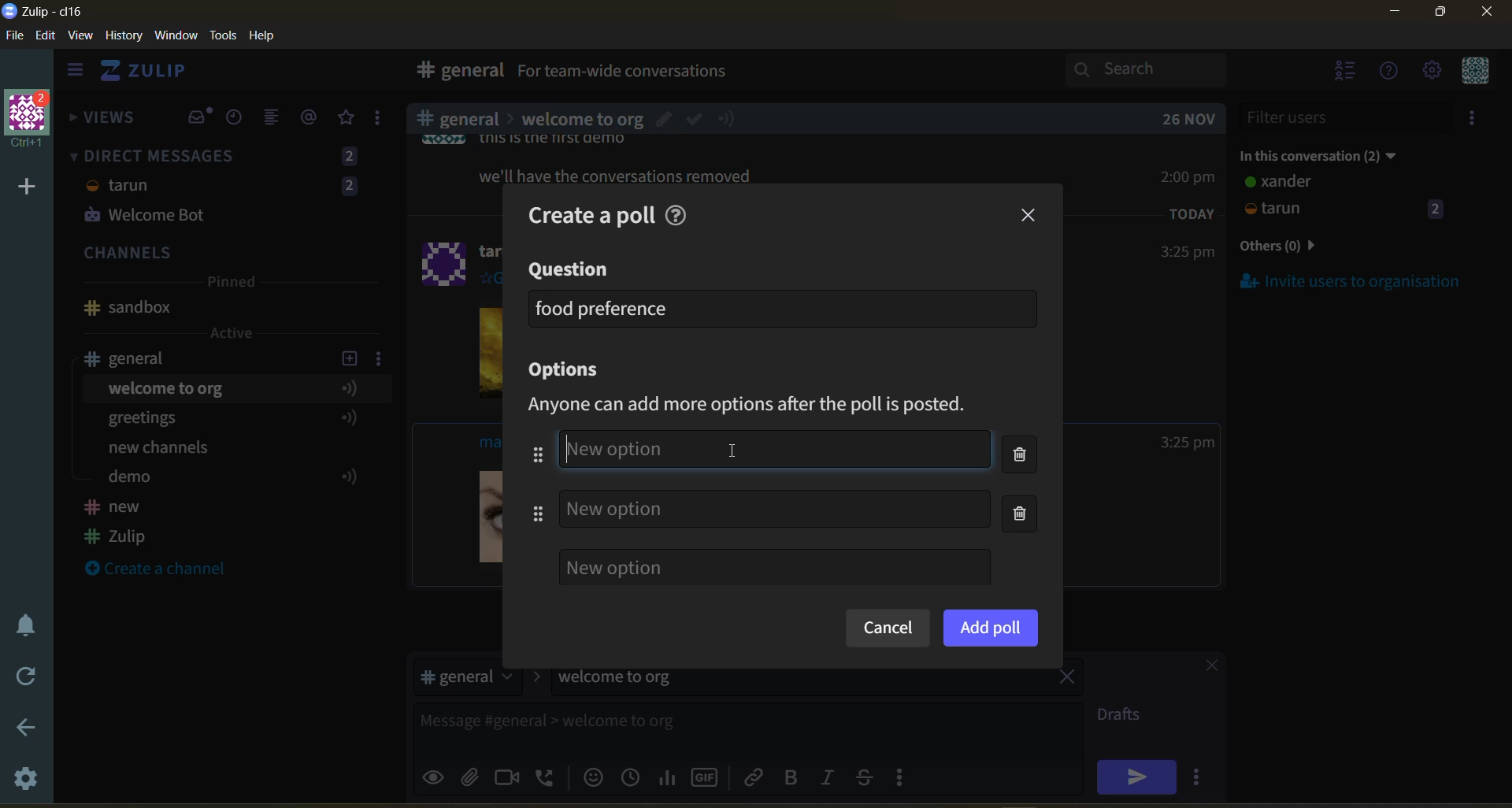  I want to click on bold, so click(790, 778).